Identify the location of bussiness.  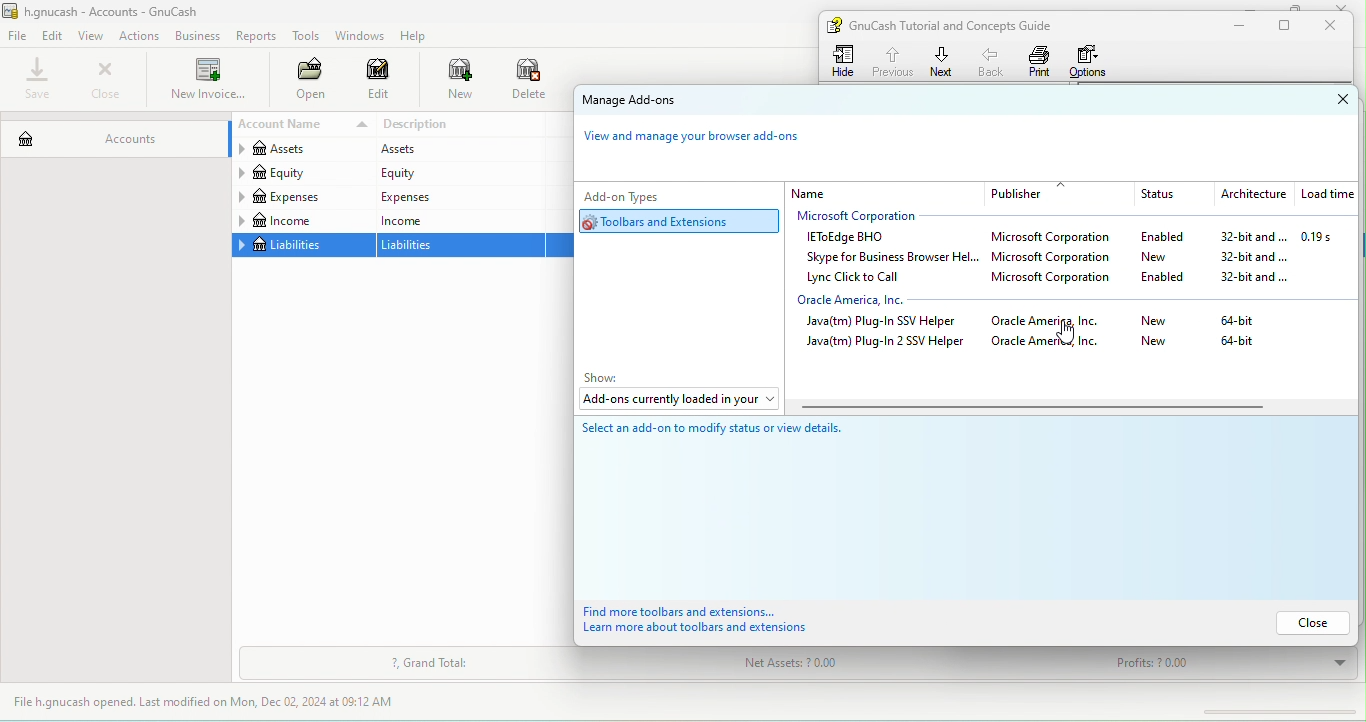
(198, 36).